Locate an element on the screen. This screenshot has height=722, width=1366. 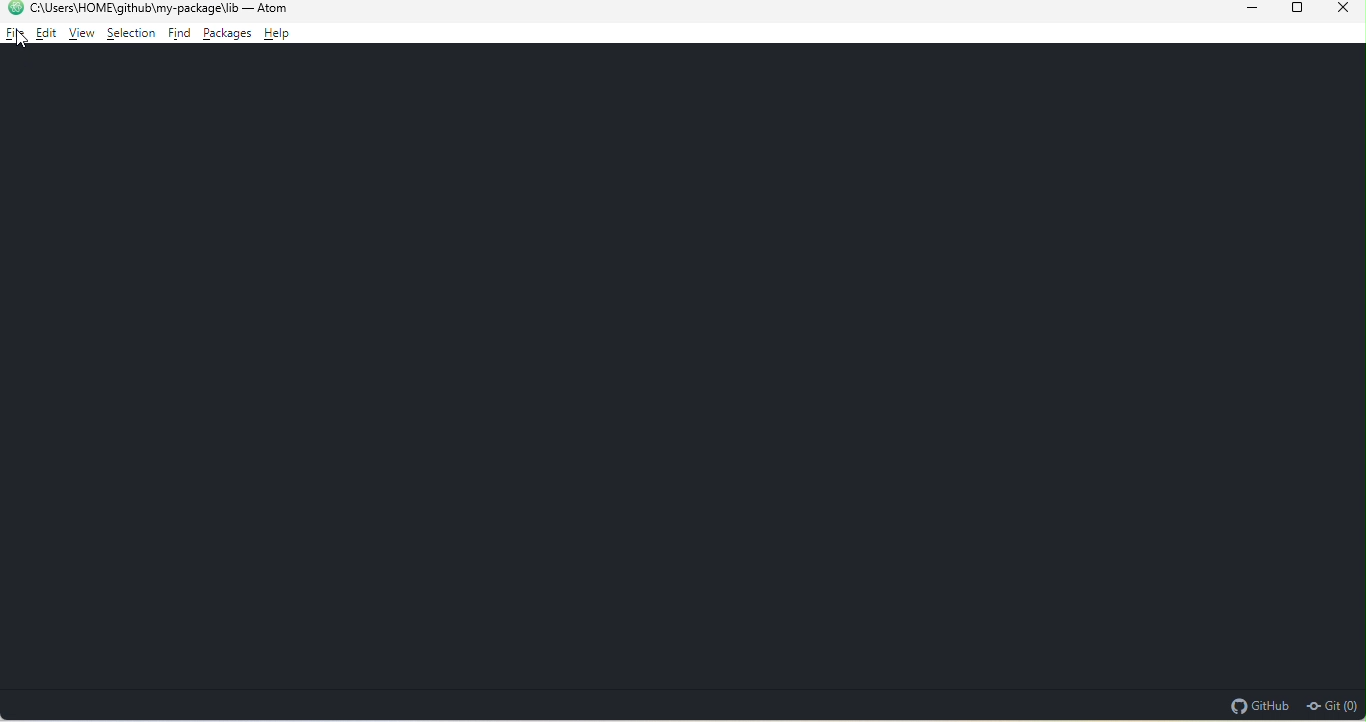
cursor is located at coordinates (23, 40).